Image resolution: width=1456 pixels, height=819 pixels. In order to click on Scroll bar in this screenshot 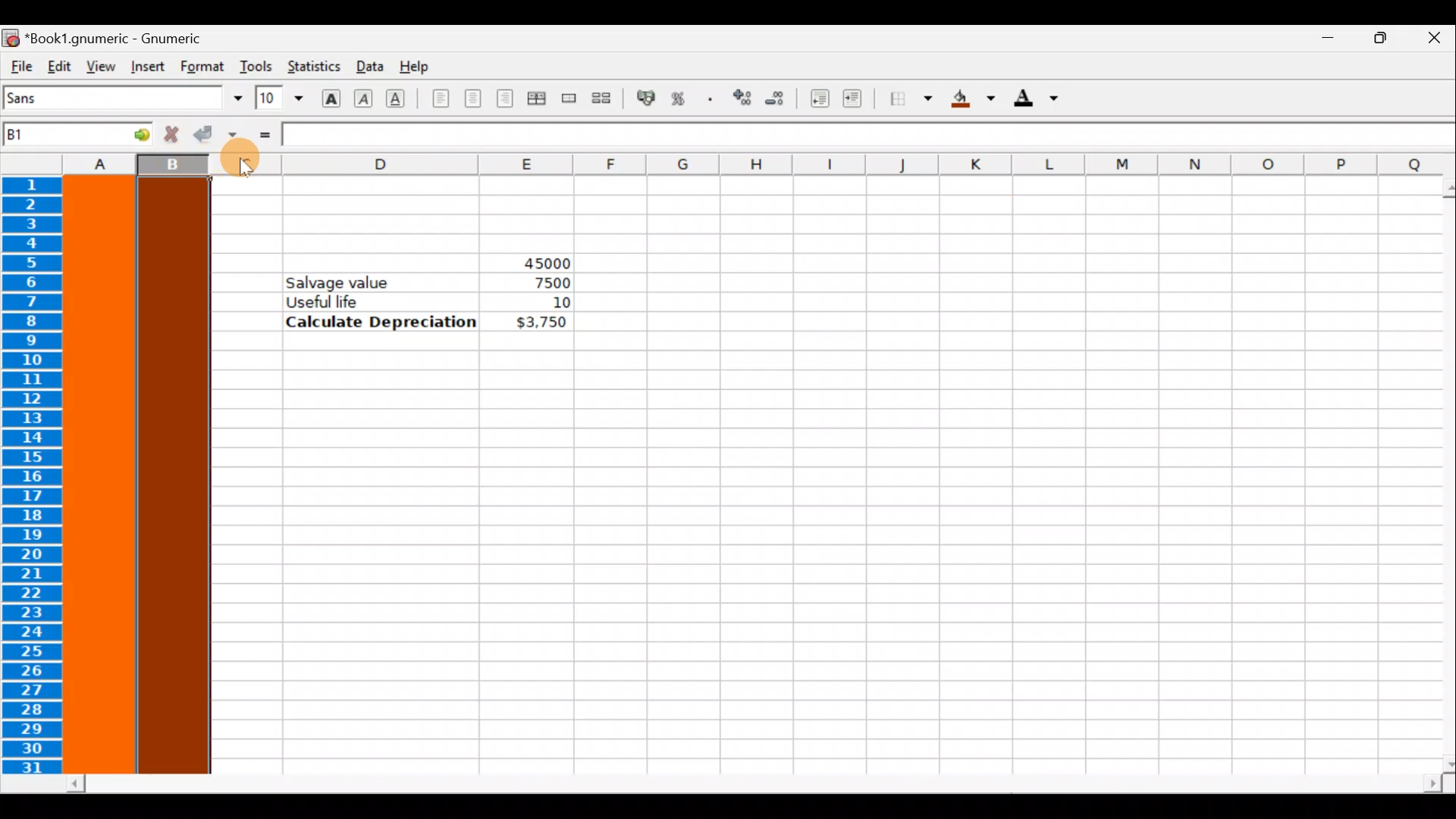, I will do `click(755, 784)`.